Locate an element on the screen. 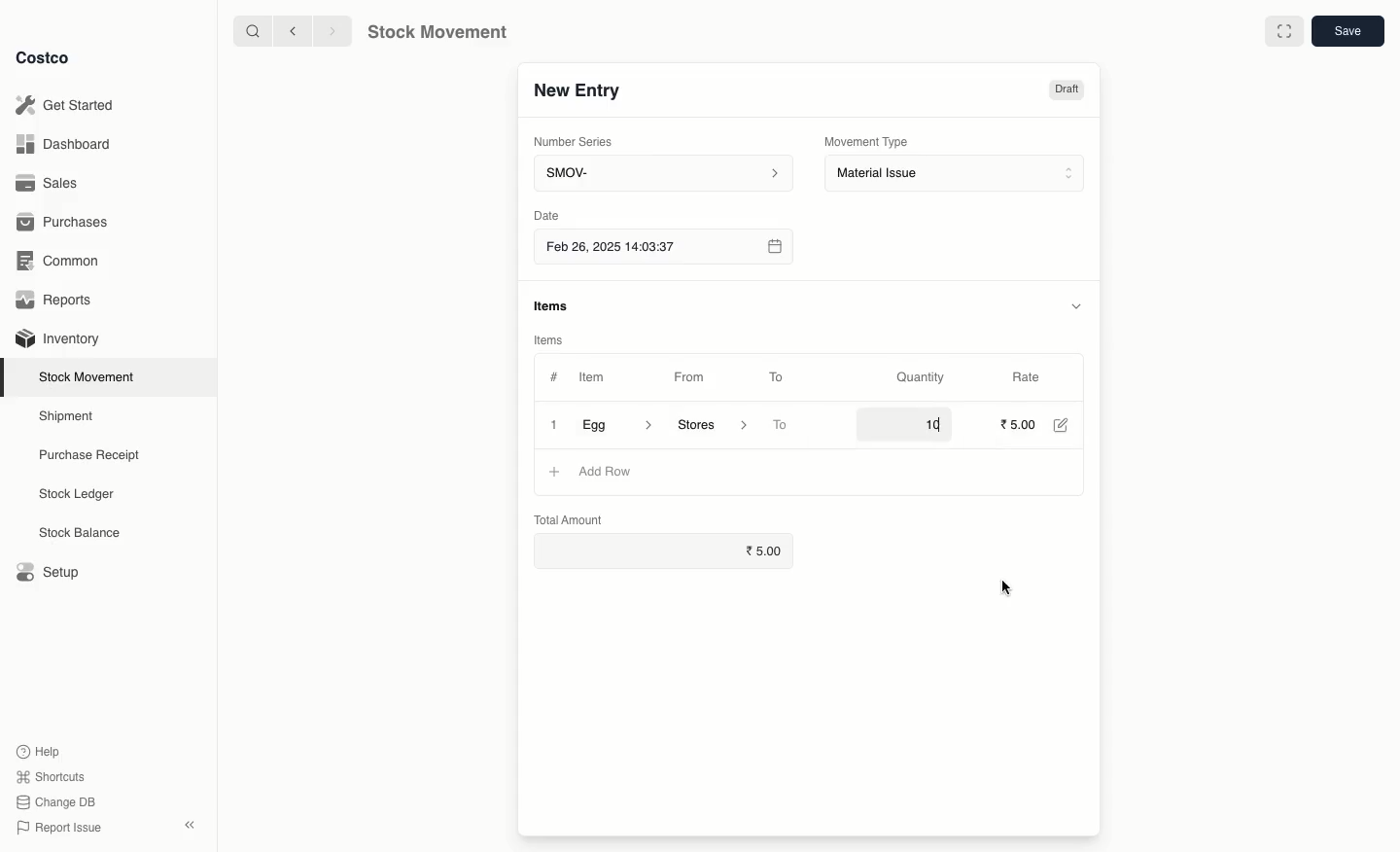 The image size is (1400, 852). Egg is located at coordinates (617, 424).